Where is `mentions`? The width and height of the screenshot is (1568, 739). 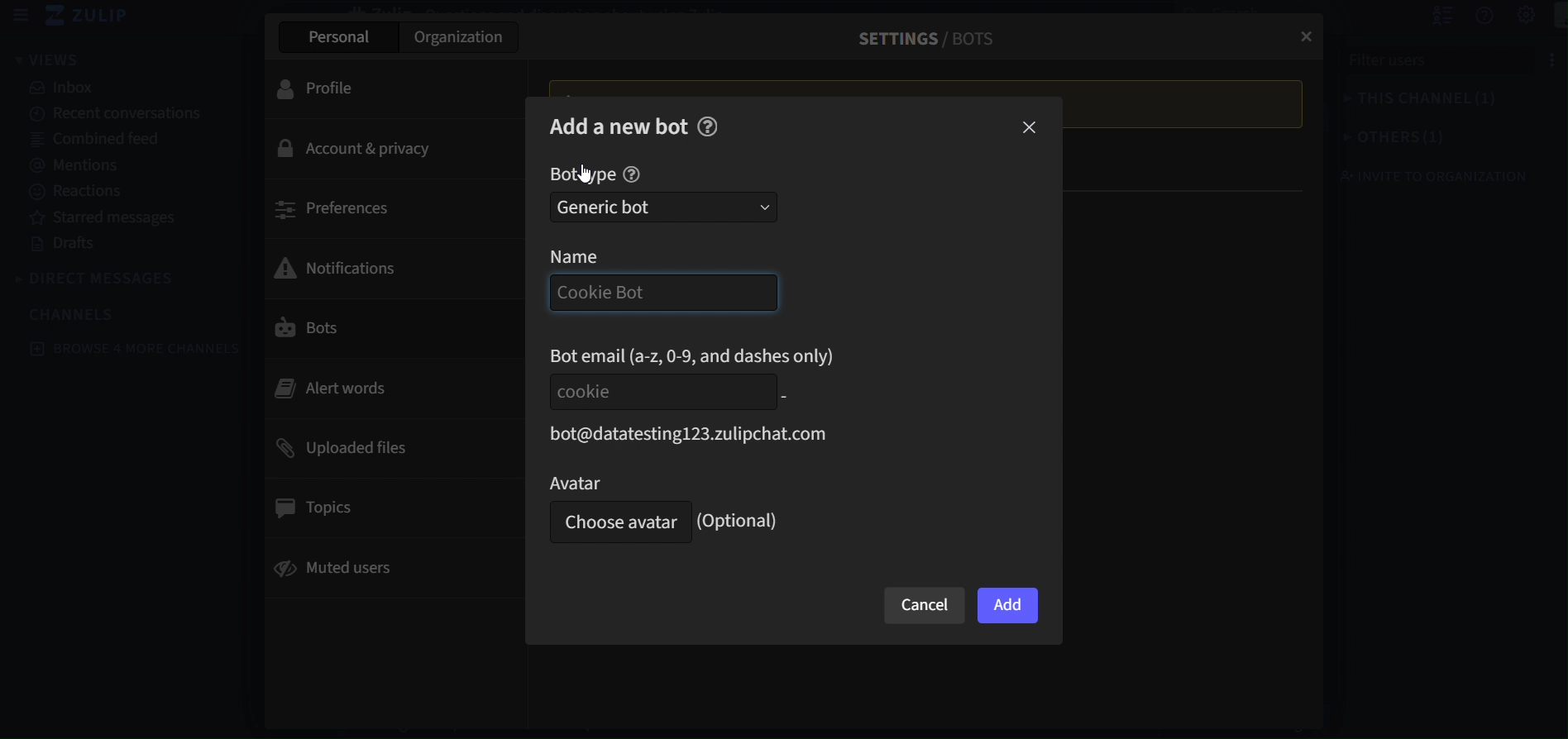 mentions is located at coordinates (80, 163).